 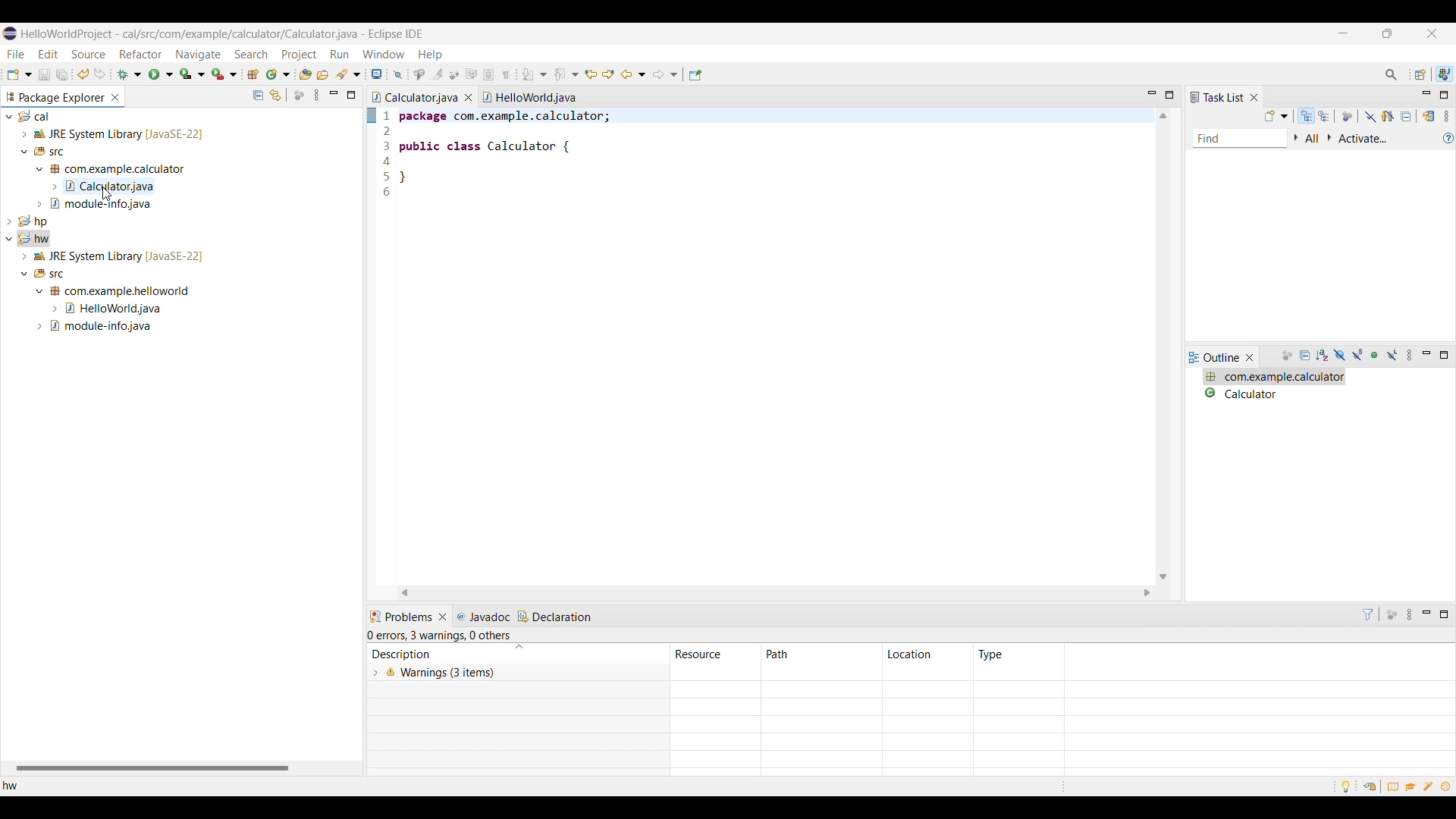 What do you see at coordinates (927, 654) in the screenshot?
I see `Location` at bounding box center [927, 654].